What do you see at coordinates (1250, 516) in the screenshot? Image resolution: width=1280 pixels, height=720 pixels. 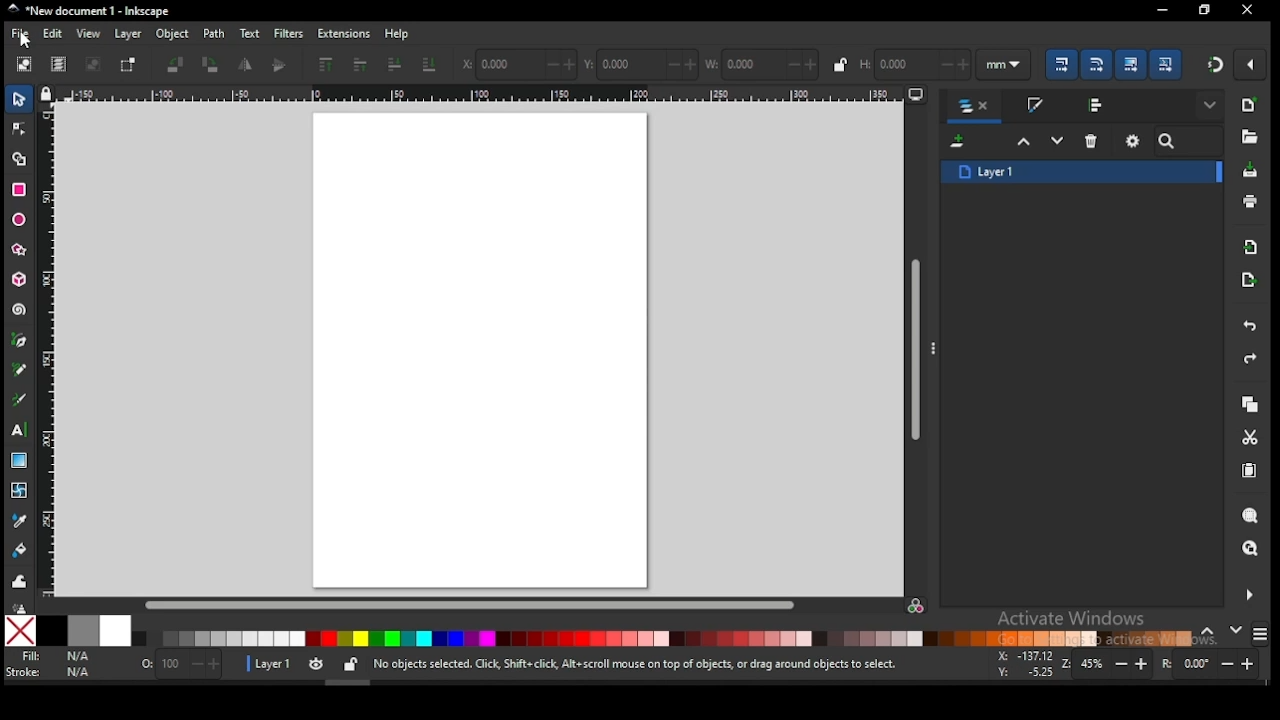 I see `zoom object` at bounding box center [1250, 516].